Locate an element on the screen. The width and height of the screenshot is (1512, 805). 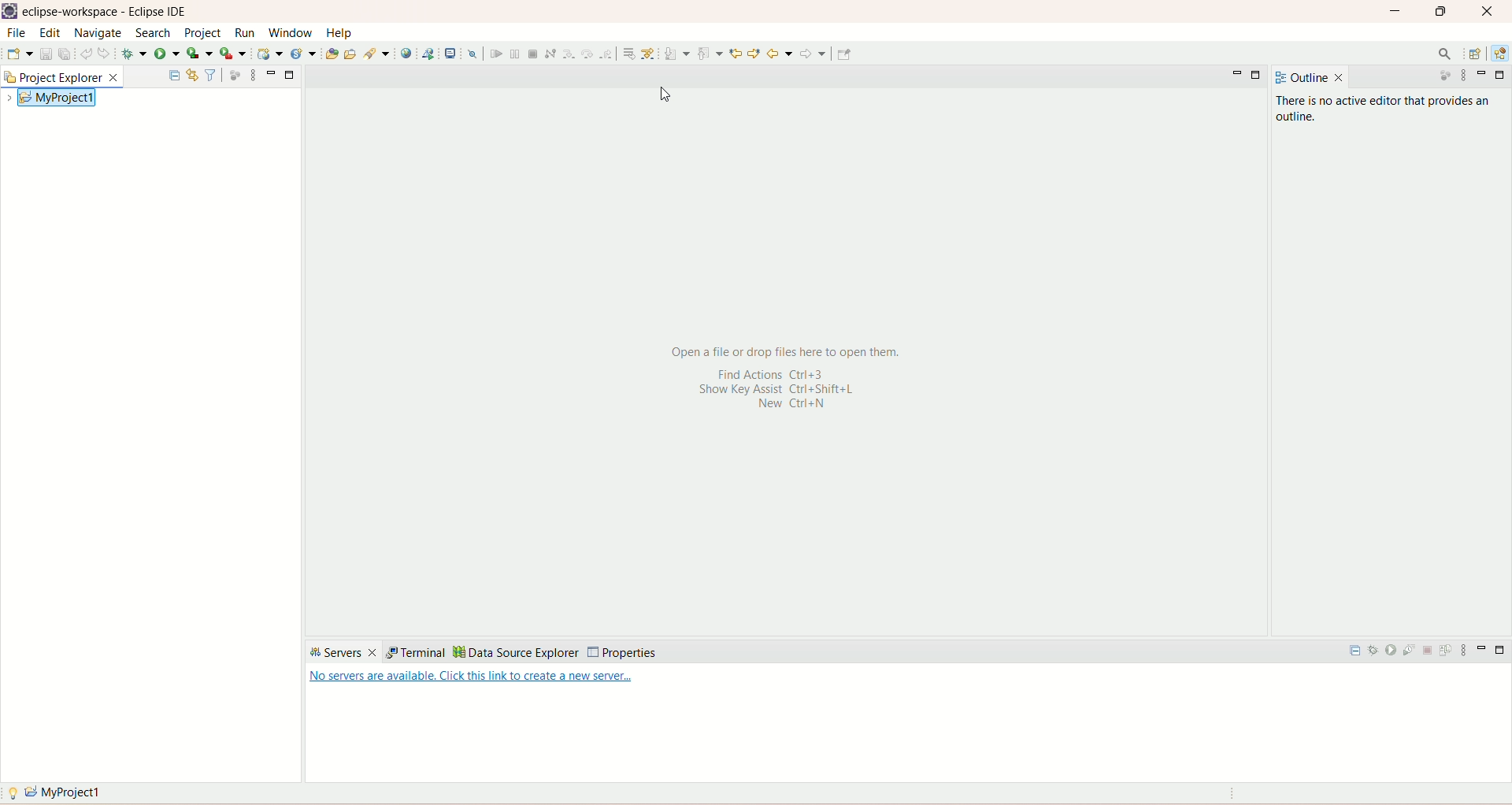
outline is located at coordinates (1312, 77).